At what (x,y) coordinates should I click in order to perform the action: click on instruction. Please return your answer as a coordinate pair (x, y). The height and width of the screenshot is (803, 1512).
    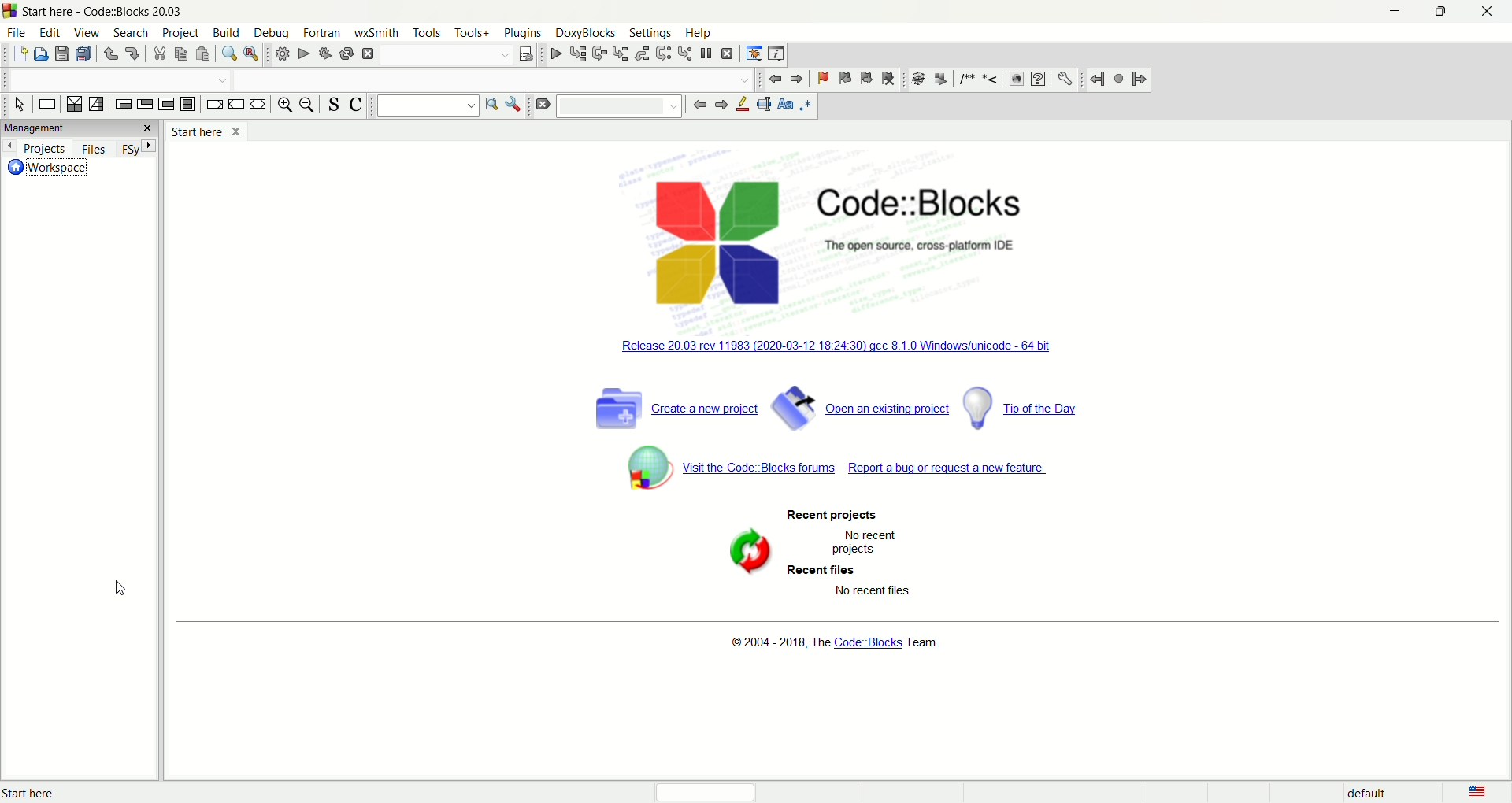
    Looking at the image, I should click on (46, 105).